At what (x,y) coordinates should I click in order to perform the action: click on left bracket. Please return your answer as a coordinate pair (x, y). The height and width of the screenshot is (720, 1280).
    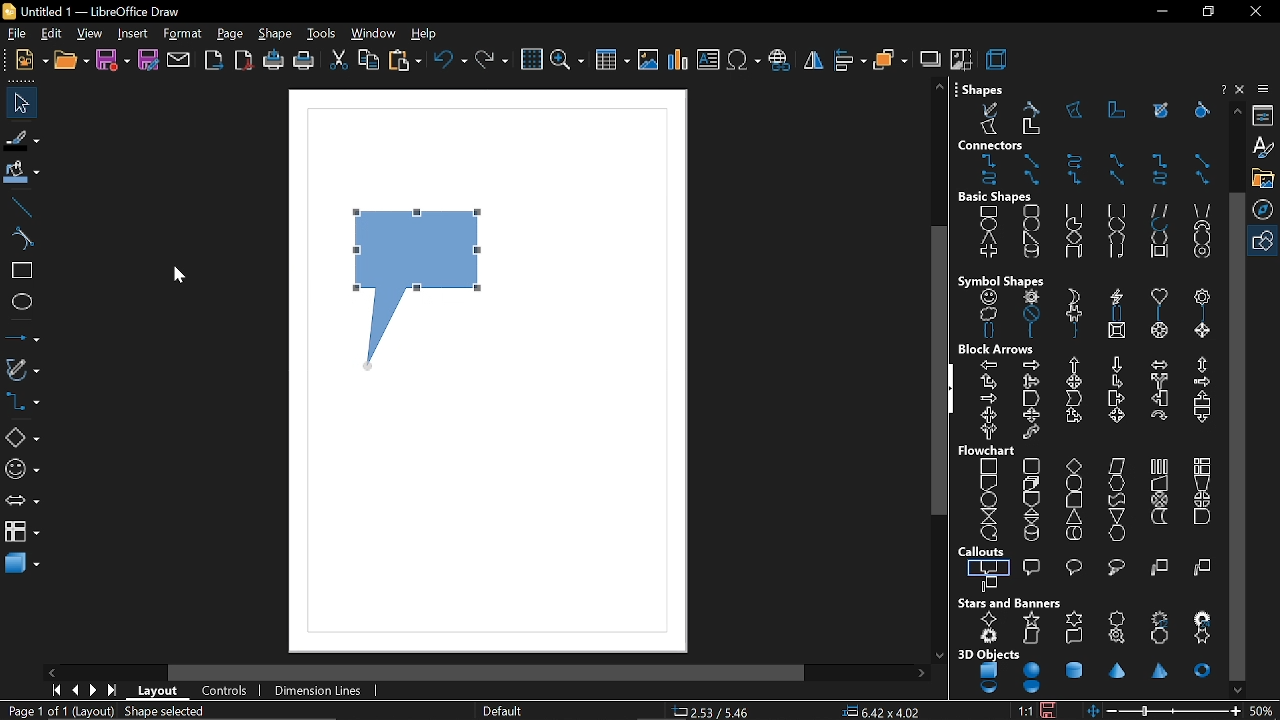
    Looking at the image, I should click on (1159, 315).